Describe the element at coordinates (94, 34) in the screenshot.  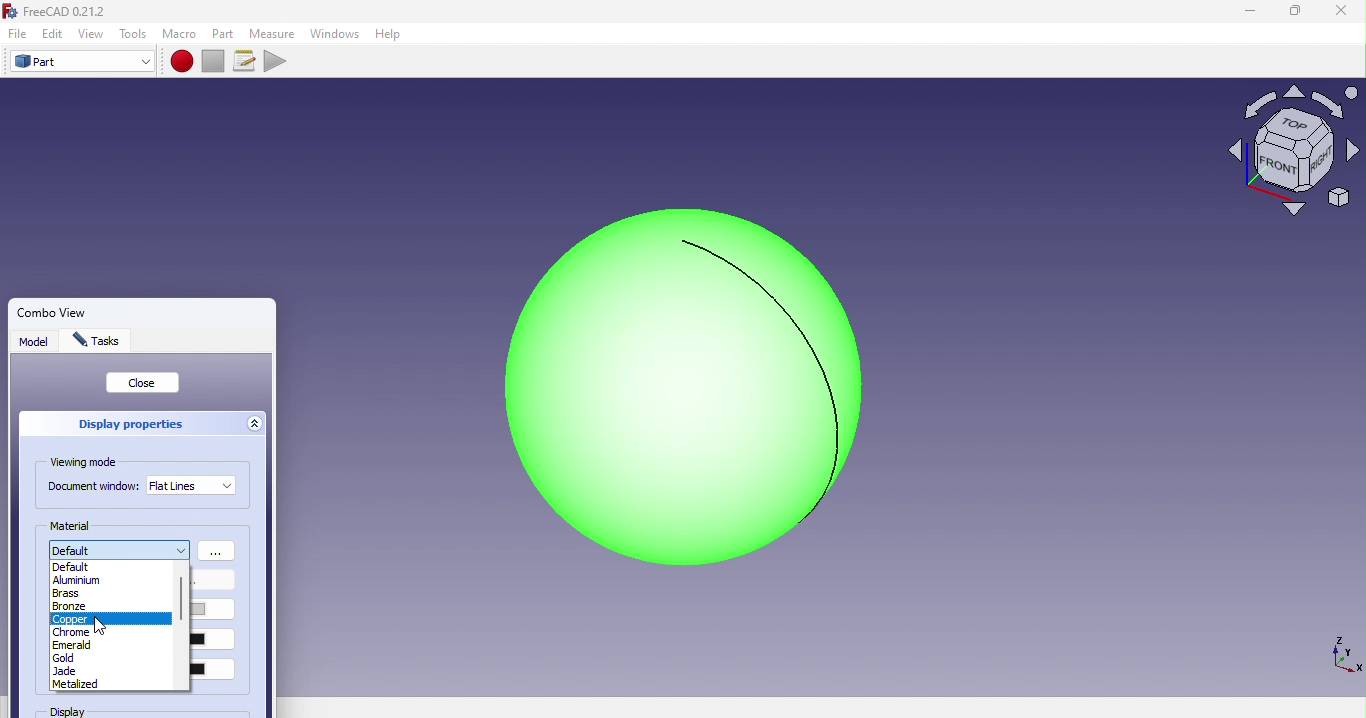
I see `View` at that location.